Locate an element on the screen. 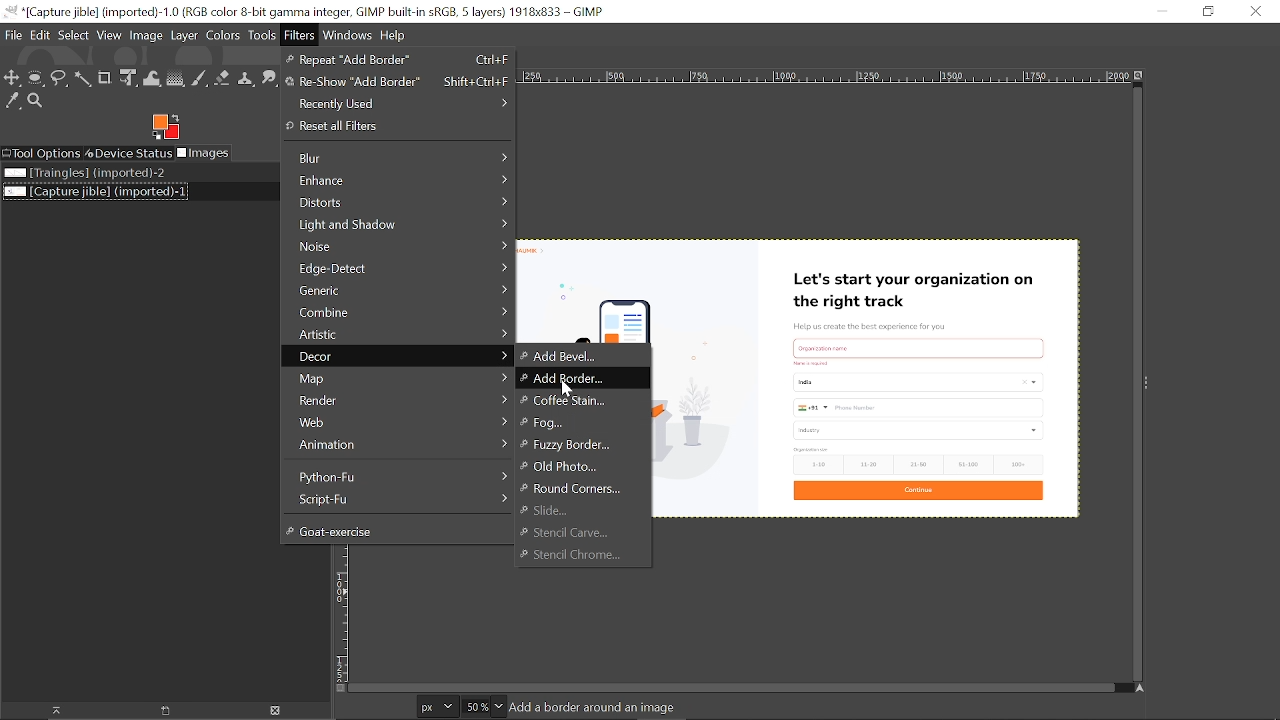 This screenshot has width=1280, height=720. Old photo is located at coordinates (558, 468).